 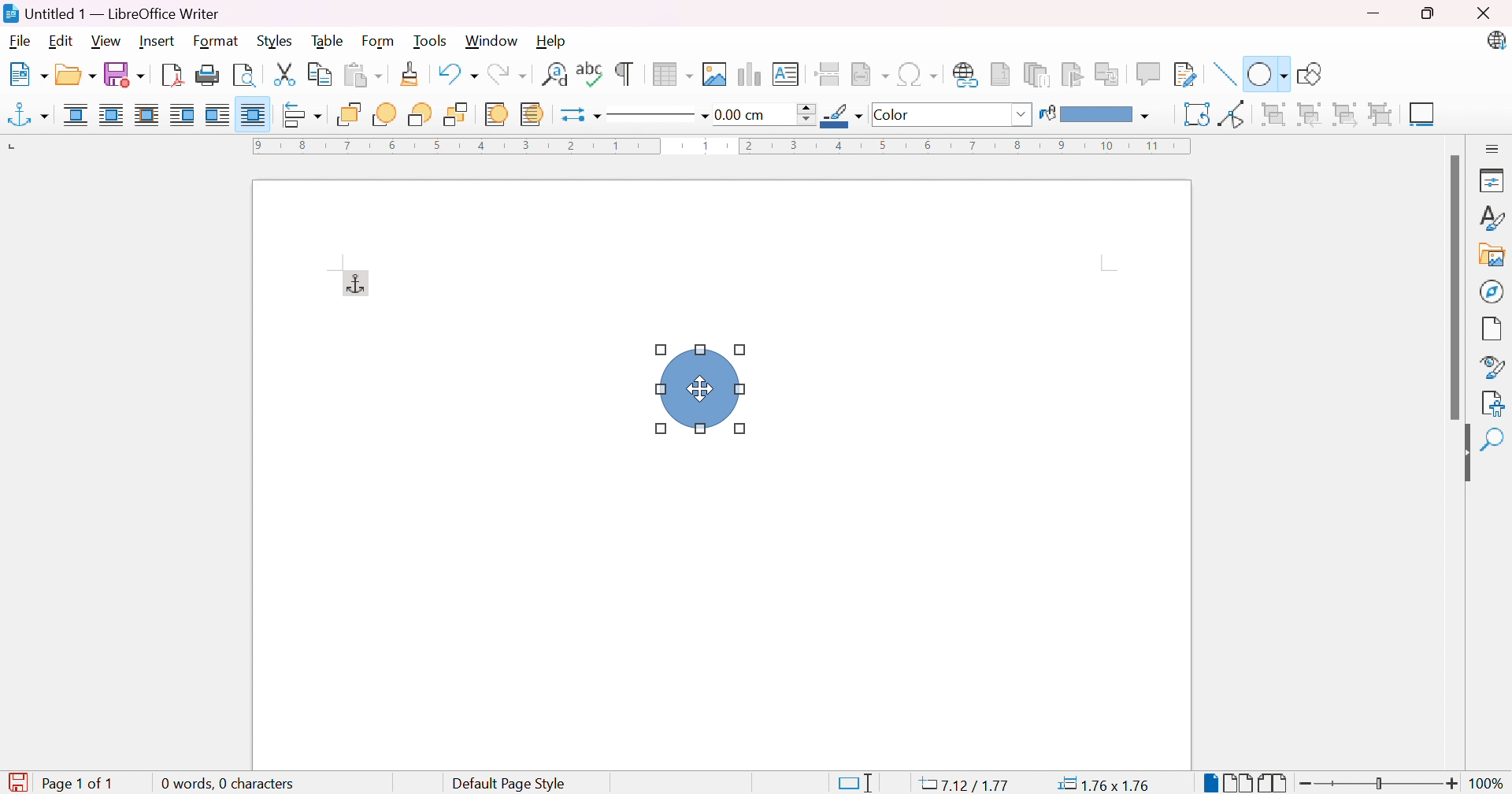 What do you see at coordinates (76, 75) in the screenshot?
I see `Open` at bounding box center [76, 75].